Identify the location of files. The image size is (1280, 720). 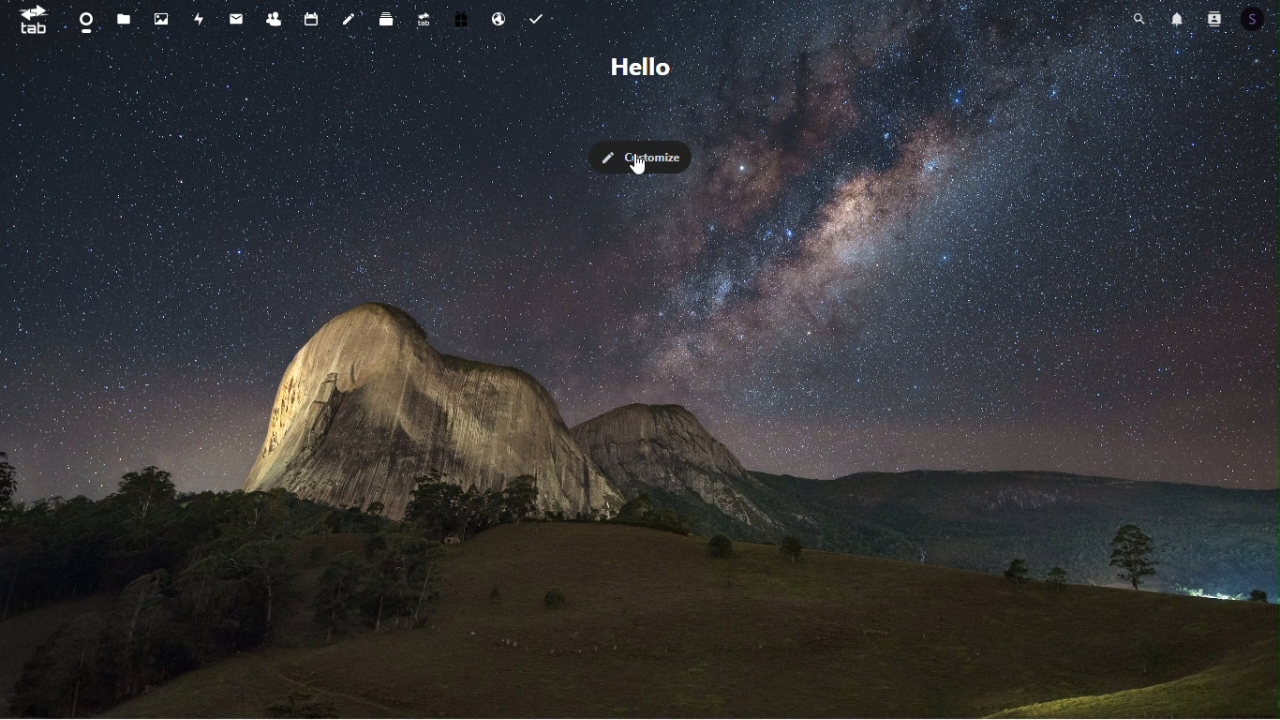
(123, 19).